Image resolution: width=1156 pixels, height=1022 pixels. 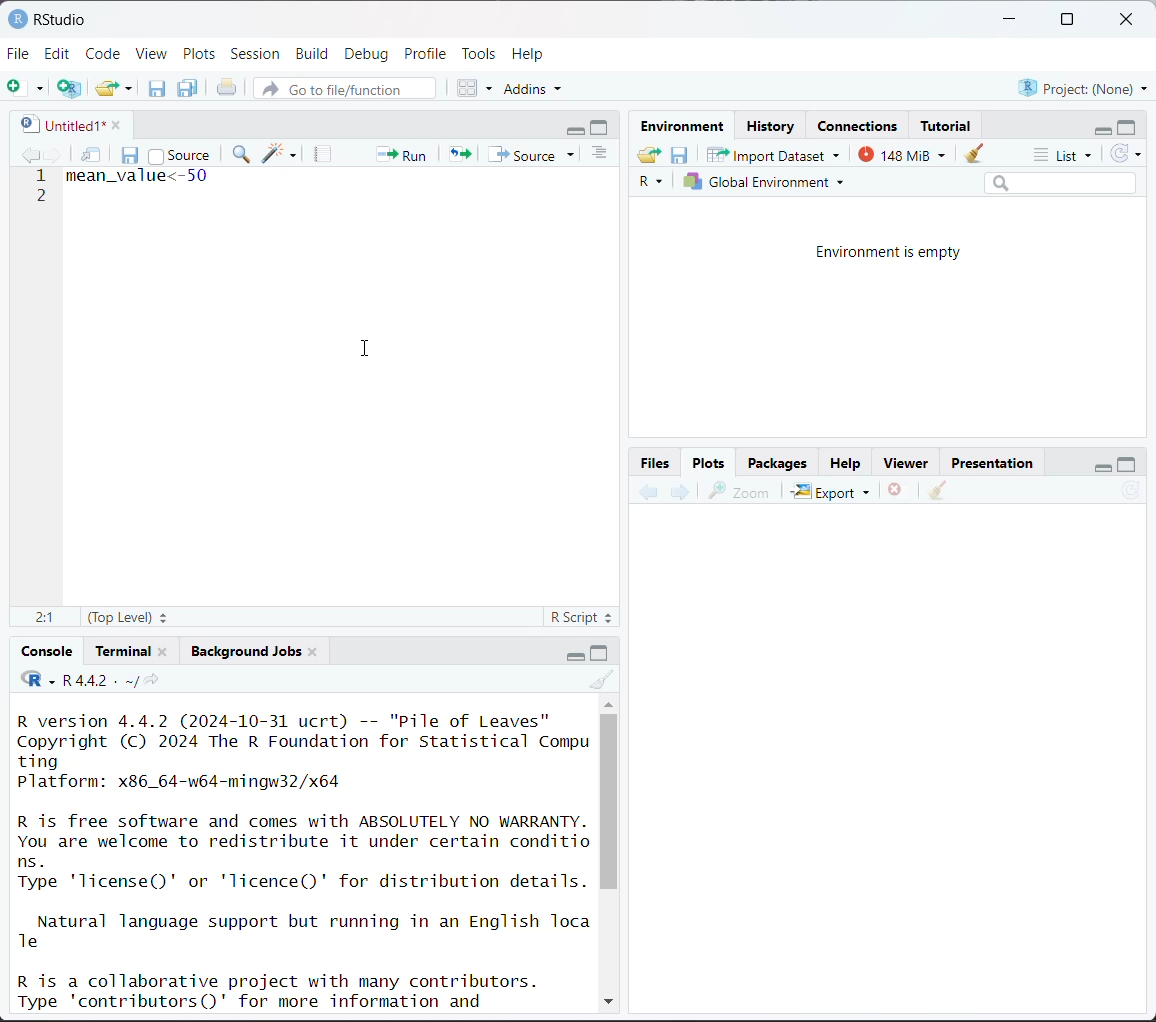 What do you see at coordinates (458, 153) in the screenshot?
I see `re-run` at bounding box center [458, 153].